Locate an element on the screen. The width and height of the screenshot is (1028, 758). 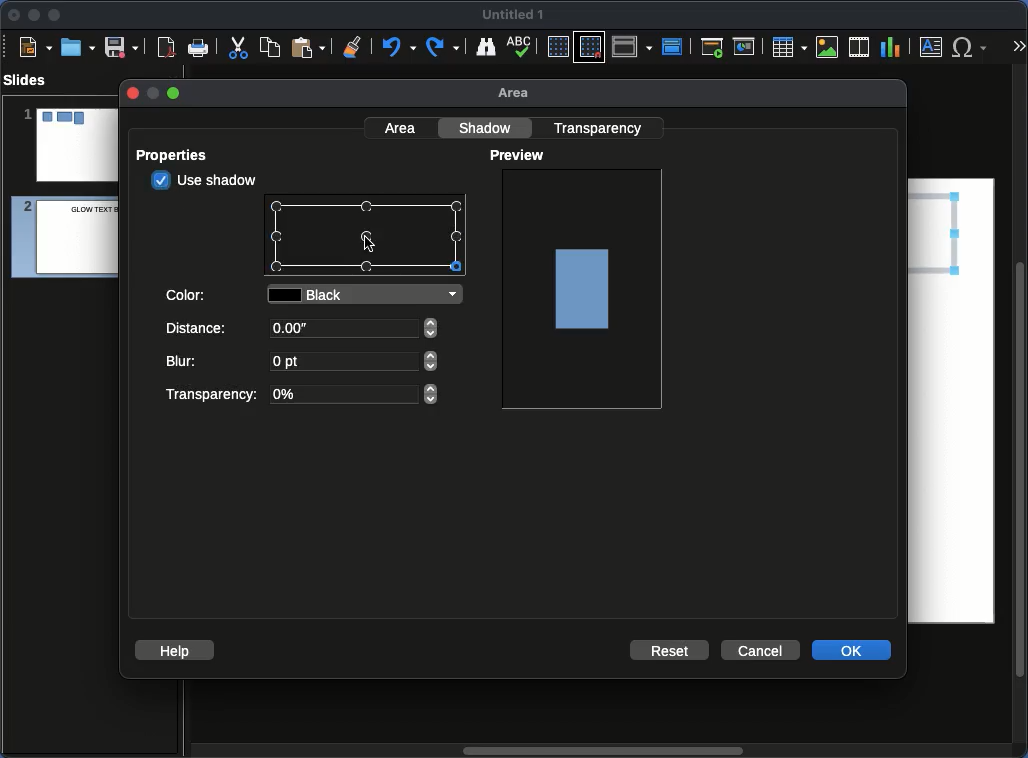
Points is located at coordinates (367, 238).